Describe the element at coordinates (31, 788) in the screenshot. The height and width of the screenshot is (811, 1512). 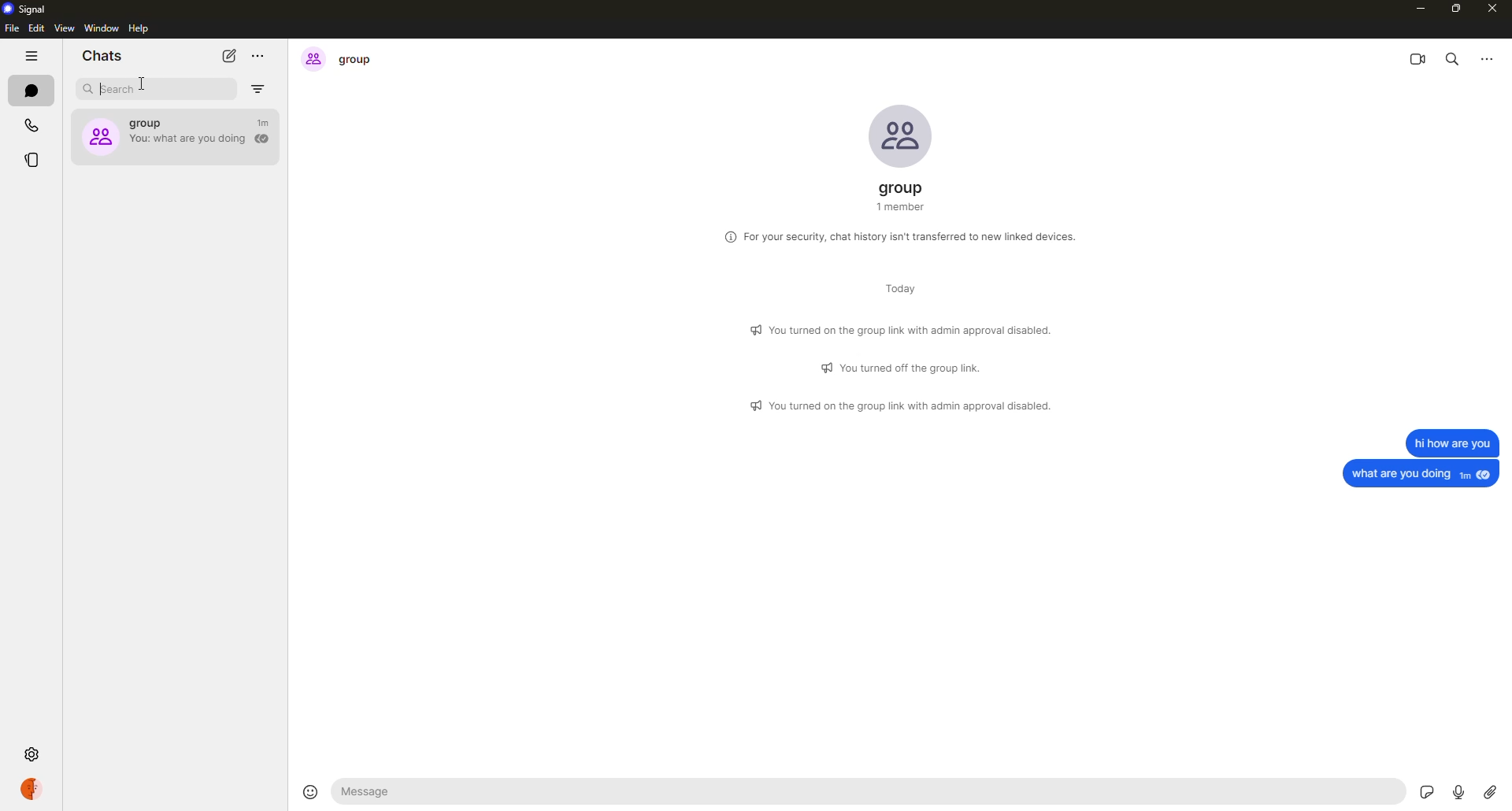
I see `profile` at that location.